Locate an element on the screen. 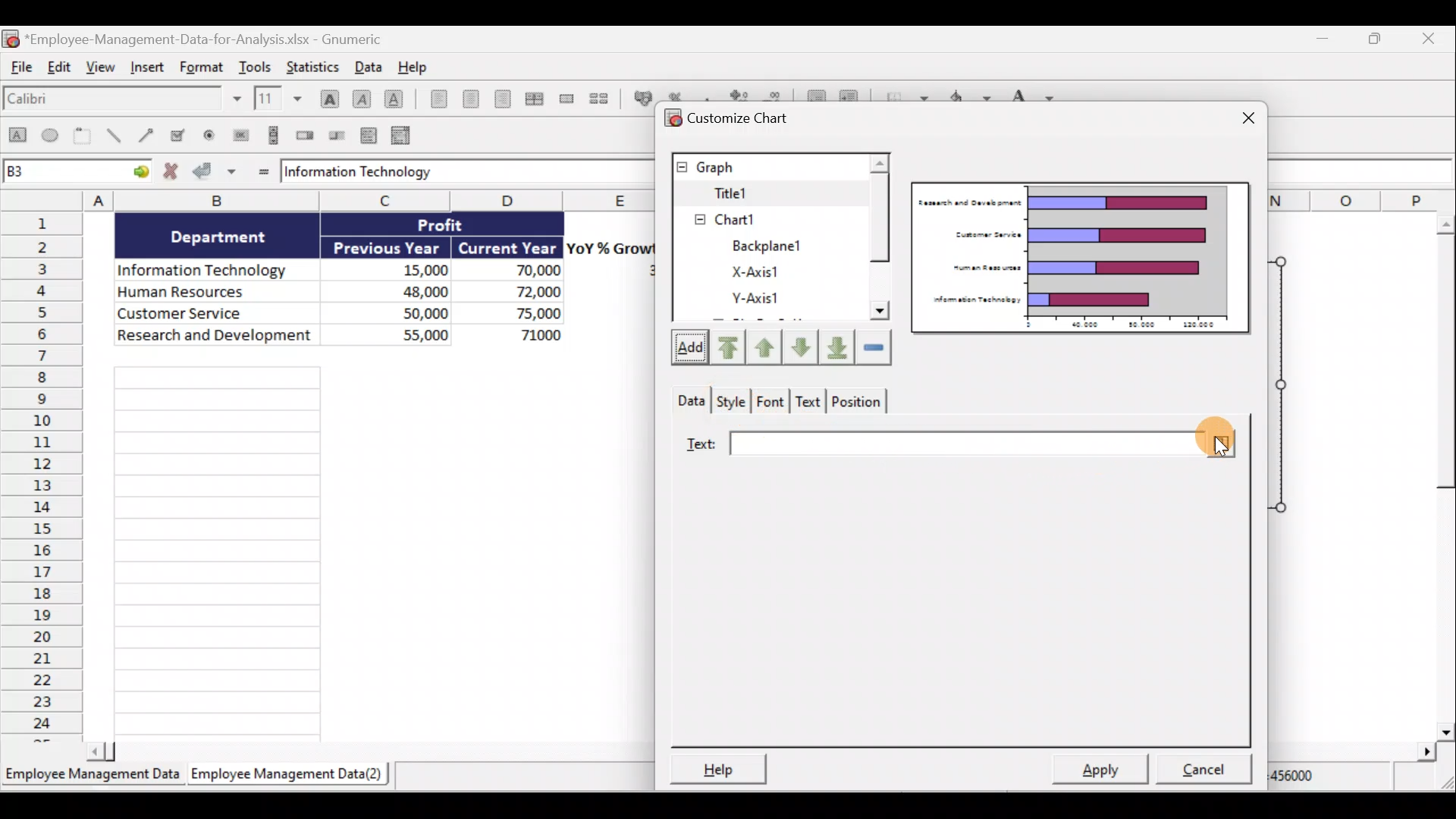 This screenshot has height=819, width=1456. Enter formula is located at coordinates (261, 171).